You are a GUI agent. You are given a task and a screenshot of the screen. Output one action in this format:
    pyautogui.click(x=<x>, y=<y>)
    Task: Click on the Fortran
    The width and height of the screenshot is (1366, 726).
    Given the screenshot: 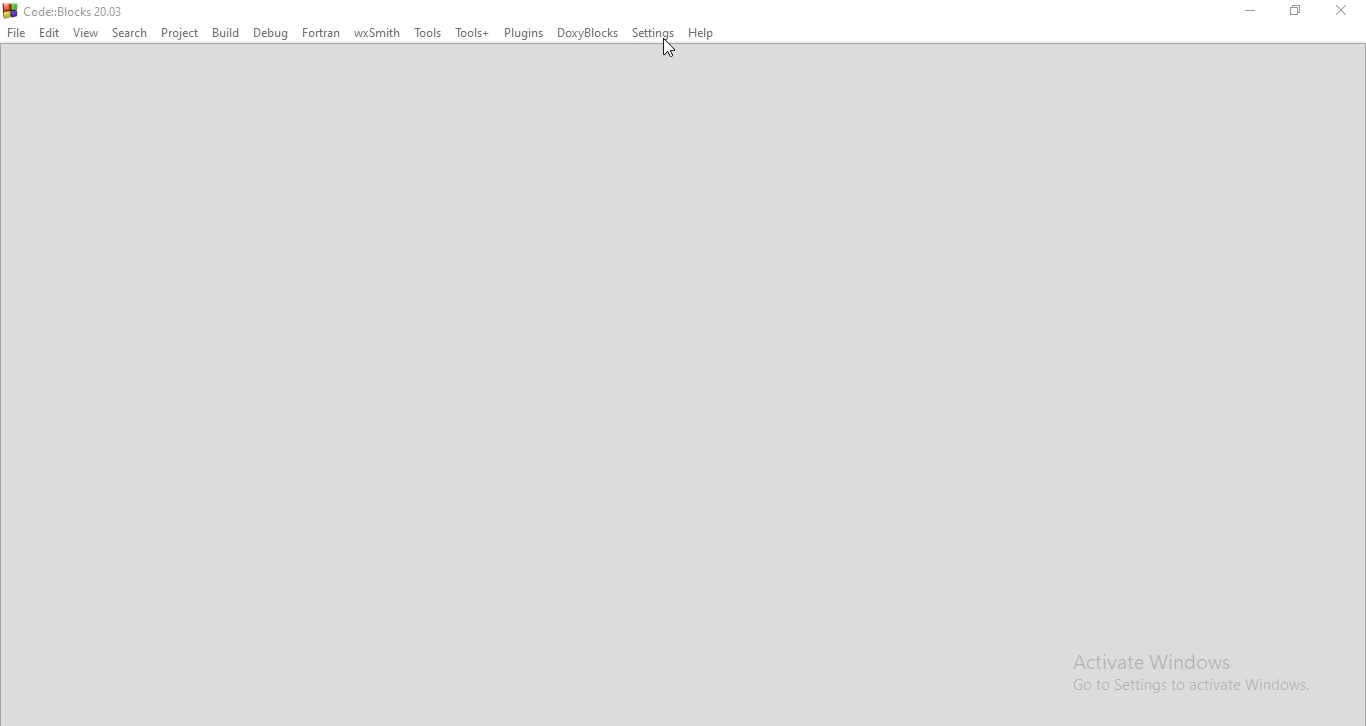 What is the action you would take?
    pyautogui.click(x=319, y=33)
    